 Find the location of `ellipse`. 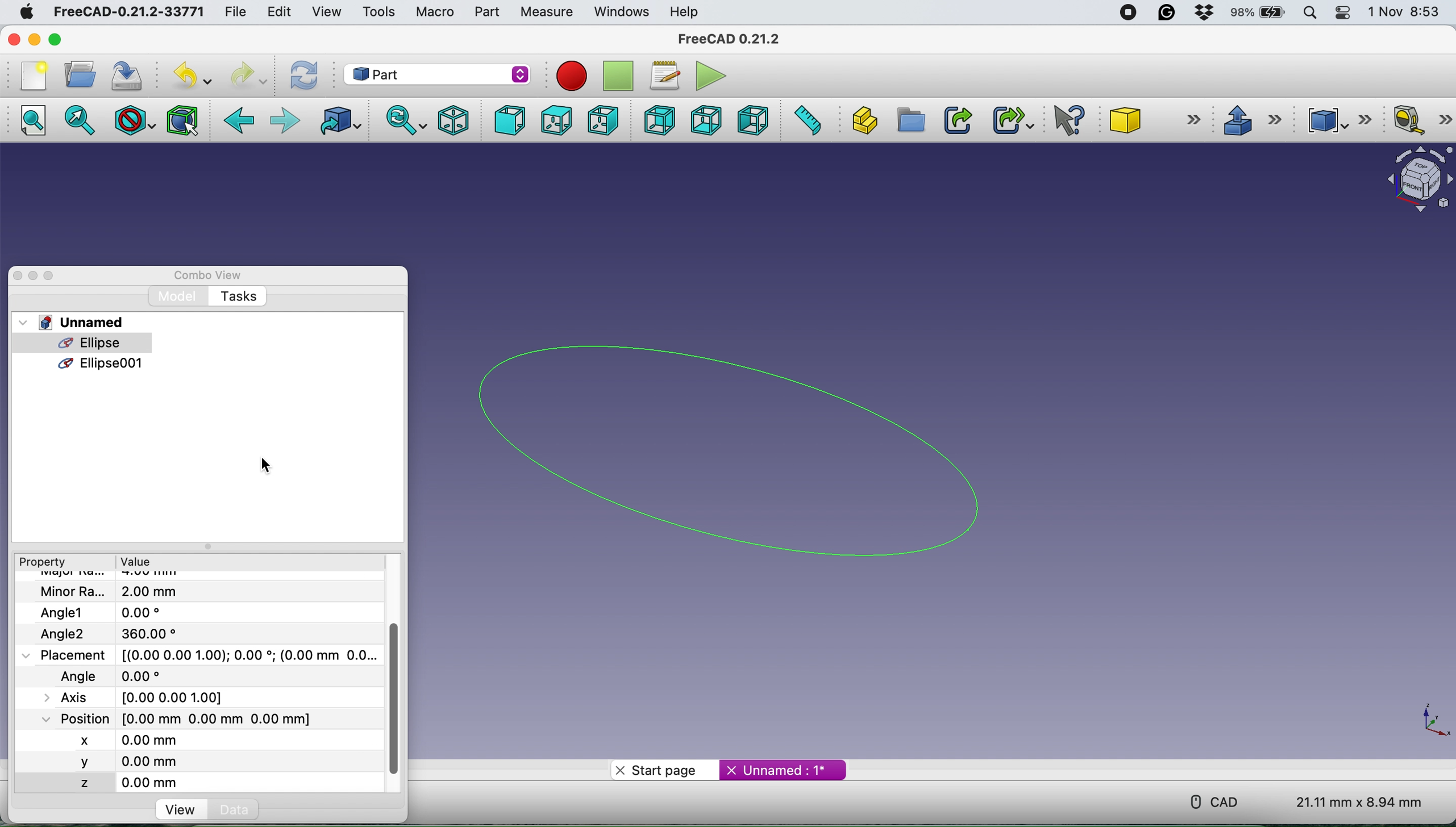

ellipse is located at coordinates (751, 448).